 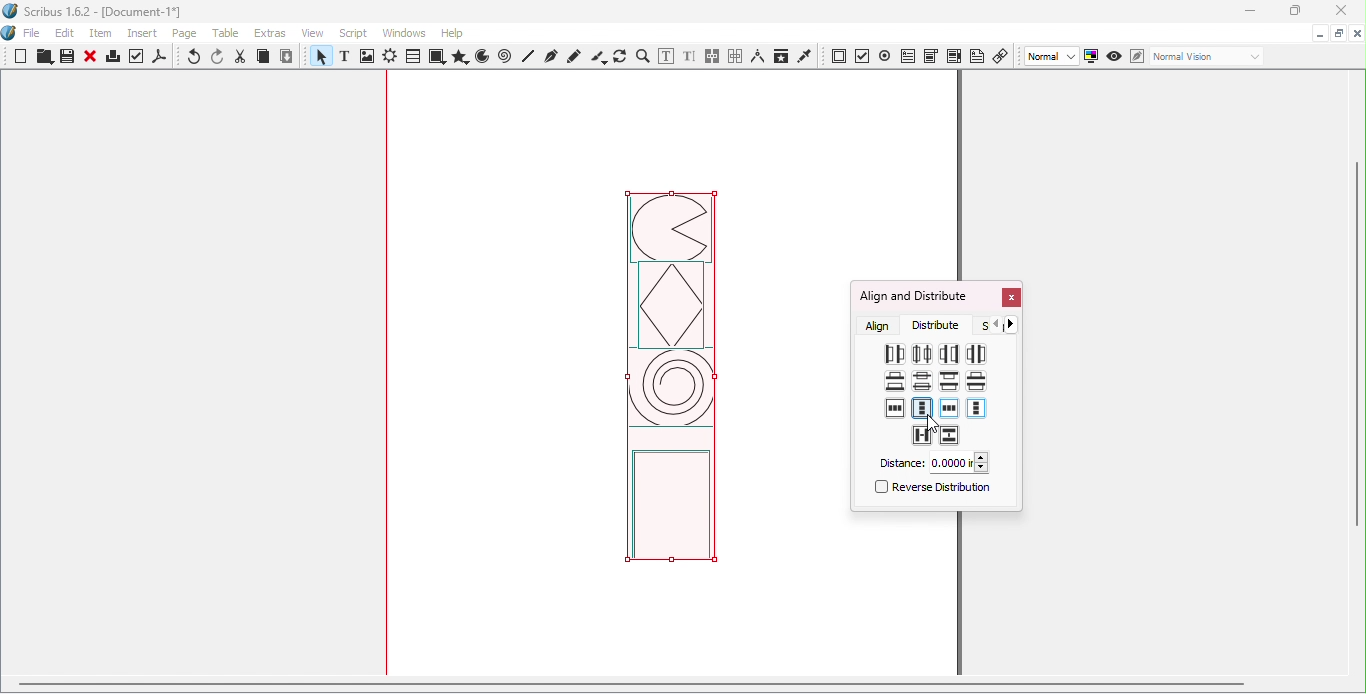 What do you see at coordinates (319, 58) in the screenshot?
I see `Select item` at bounding box center [319, 58].